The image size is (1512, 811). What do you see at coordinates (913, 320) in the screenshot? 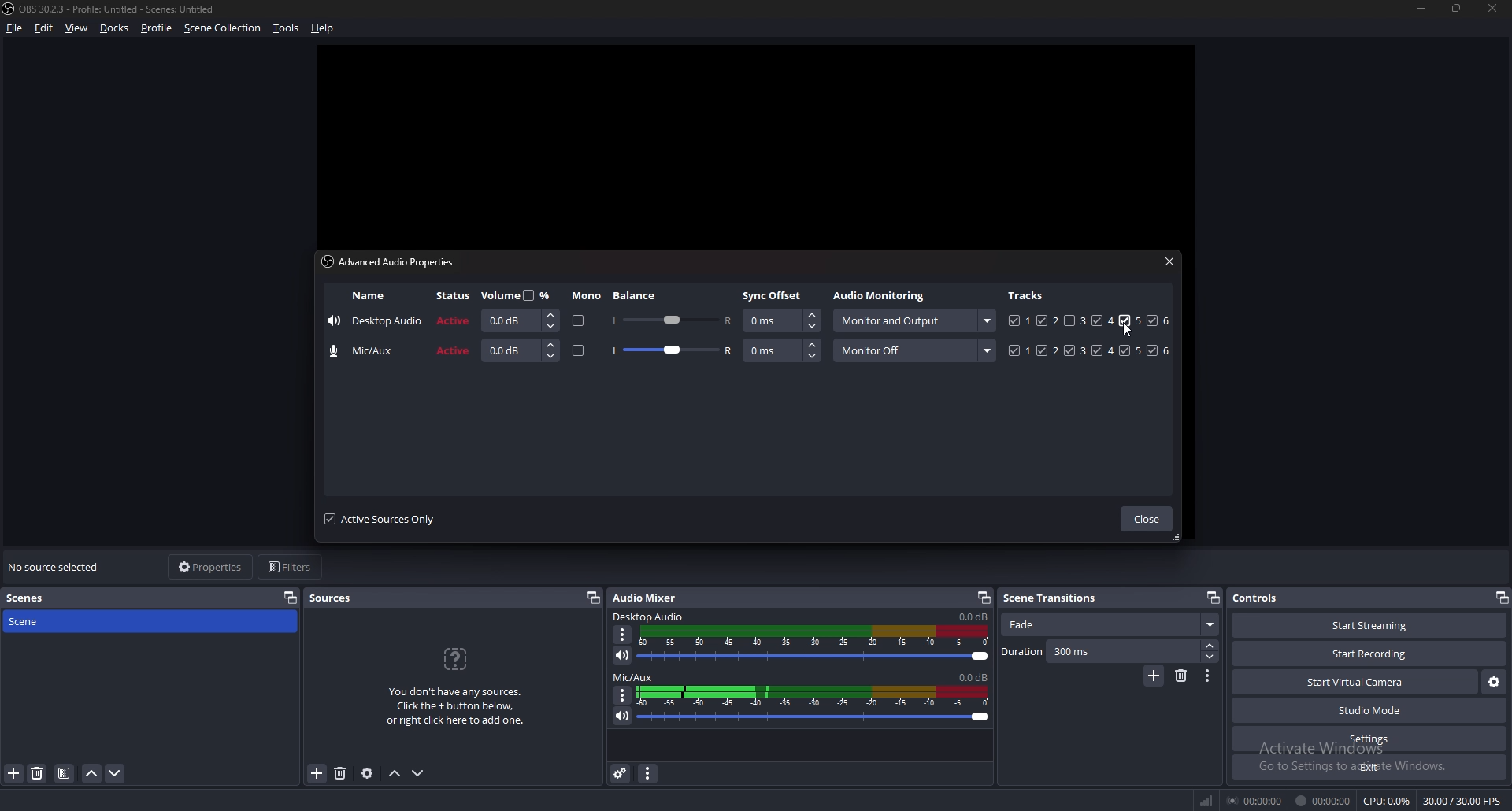
I see `audio monitoring` at bounding box center [913, 320].